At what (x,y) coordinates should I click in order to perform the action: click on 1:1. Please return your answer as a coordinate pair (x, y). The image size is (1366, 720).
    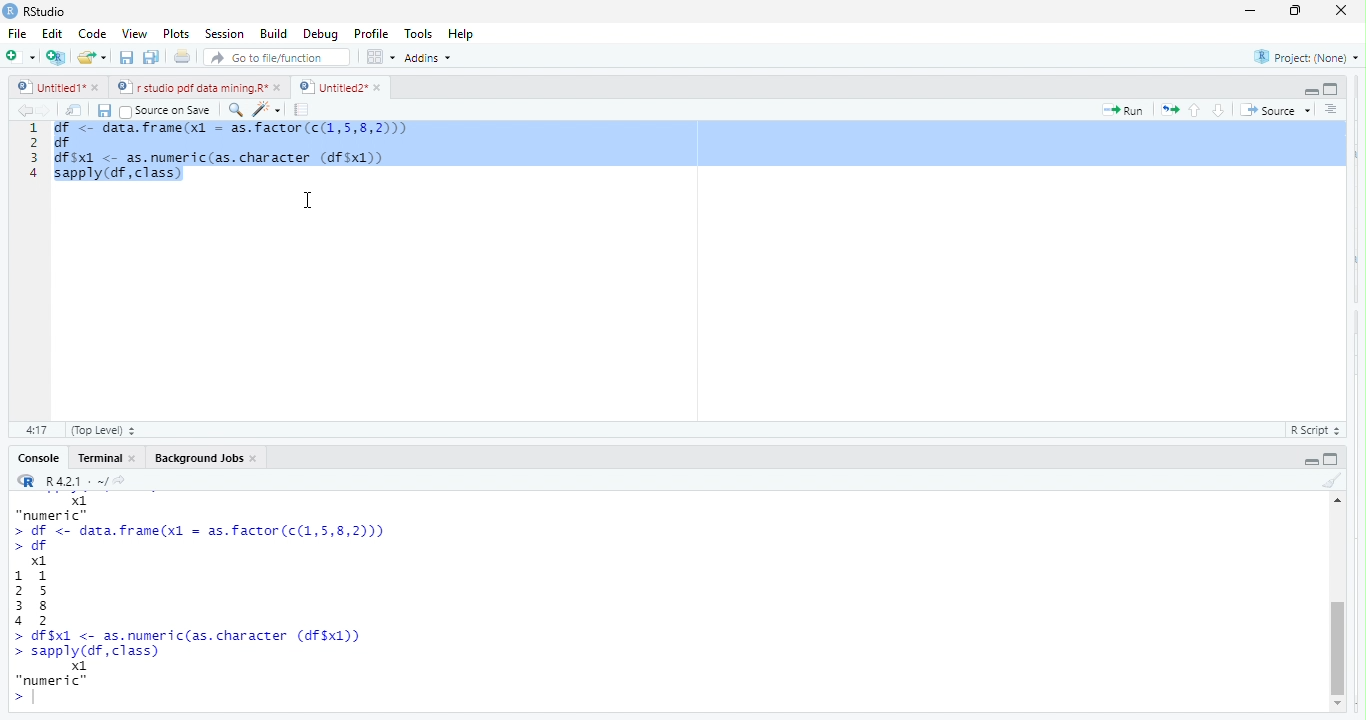
    Looking at the image, I should click on (37, 430).